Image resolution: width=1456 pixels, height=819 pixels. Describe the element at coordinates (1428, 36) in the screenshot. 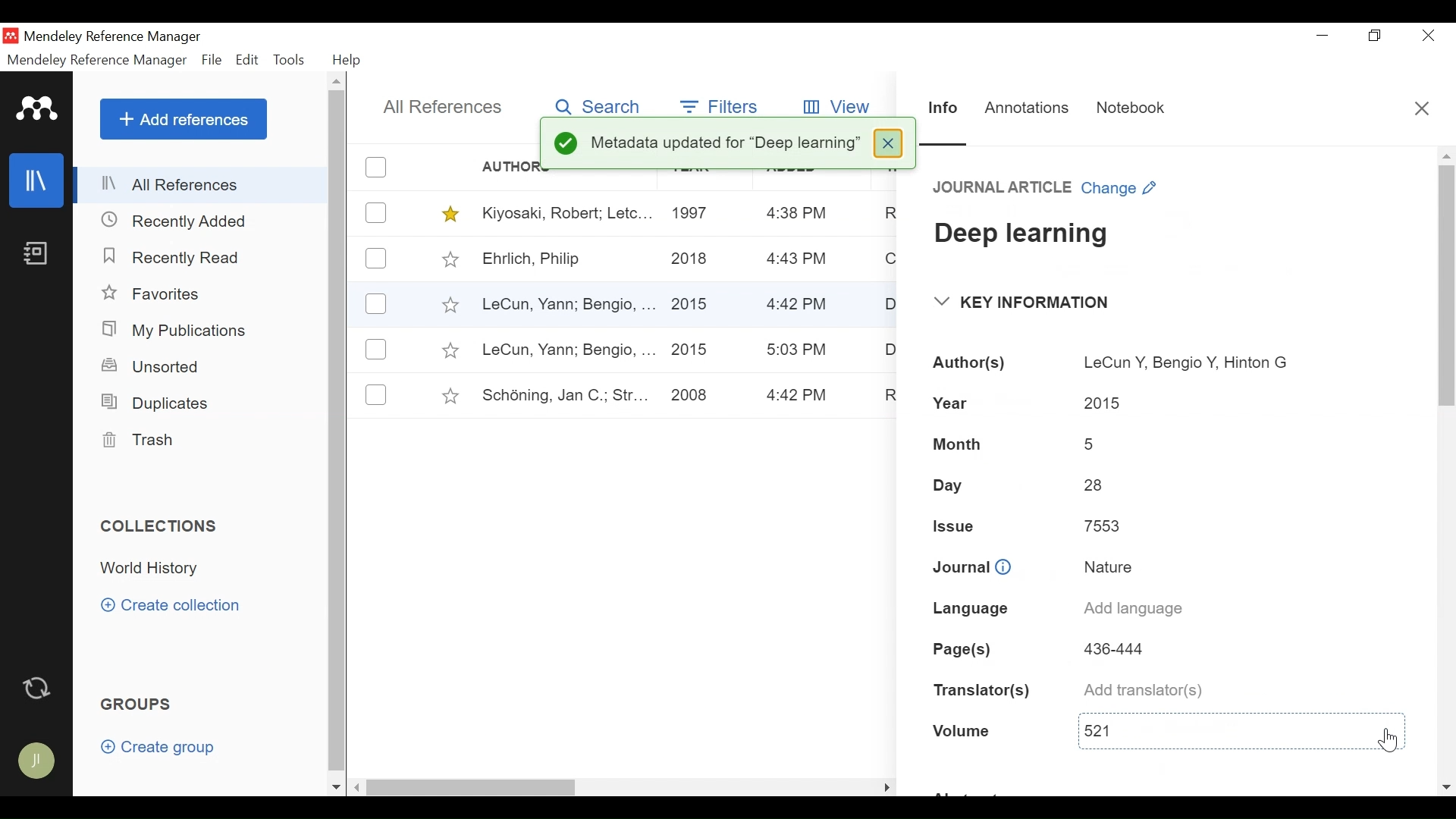

I see `Close` at that location.